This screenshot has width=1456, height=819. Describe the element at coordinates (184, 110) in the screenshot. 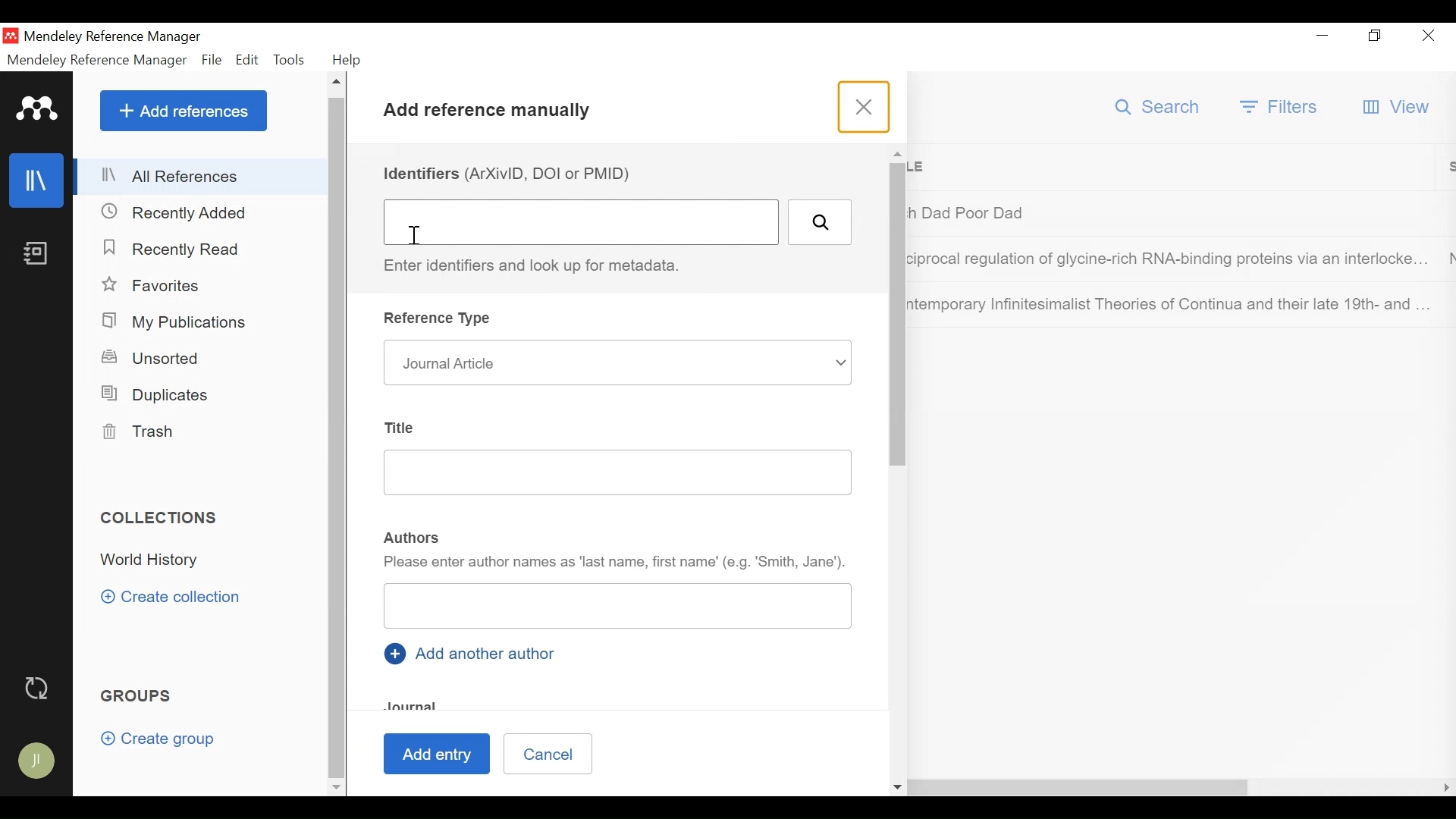

I see `Add References` at that location.